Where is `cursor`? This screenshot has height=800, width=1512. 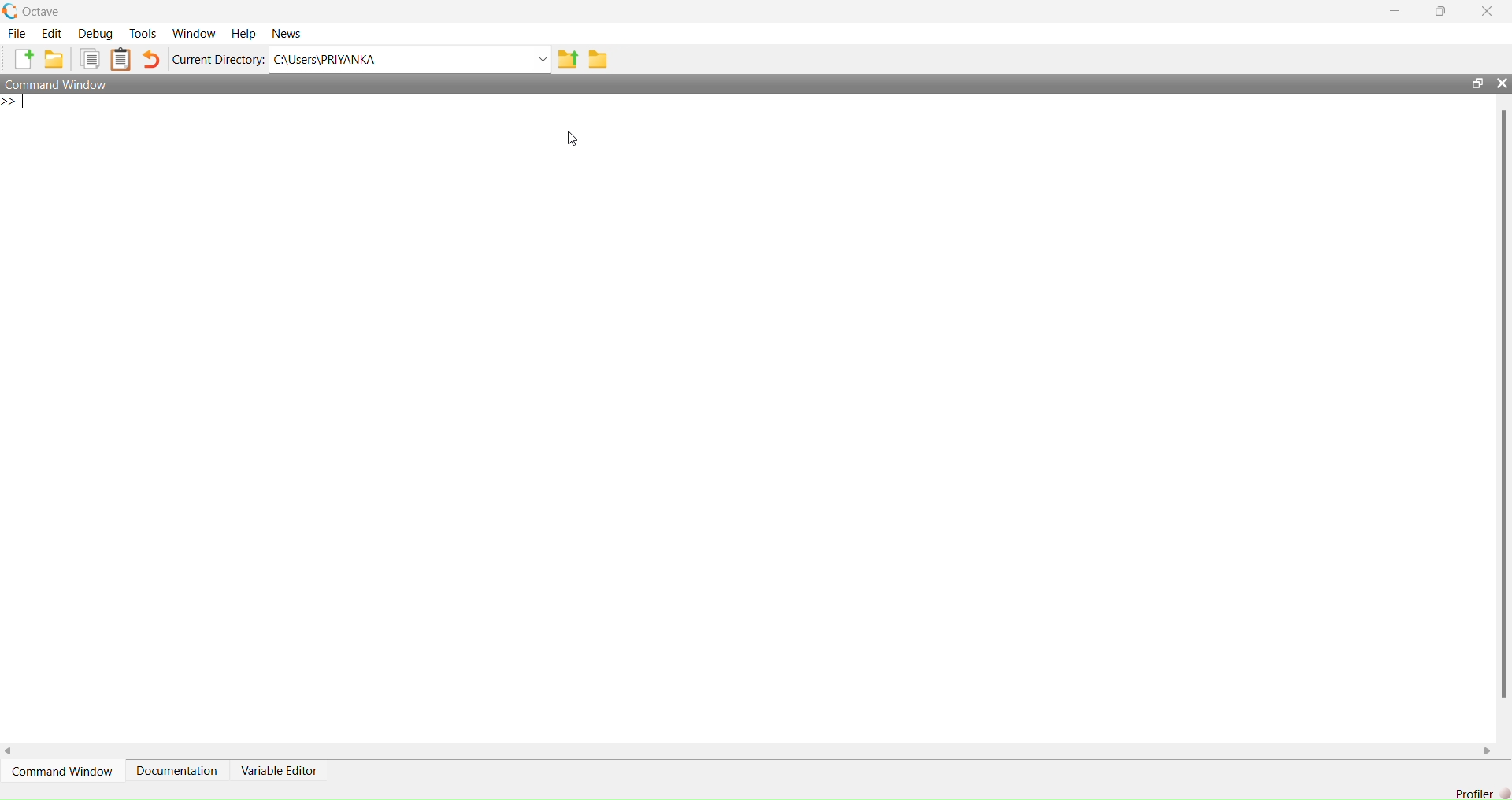 cursor is located at coordinates (573, 139).